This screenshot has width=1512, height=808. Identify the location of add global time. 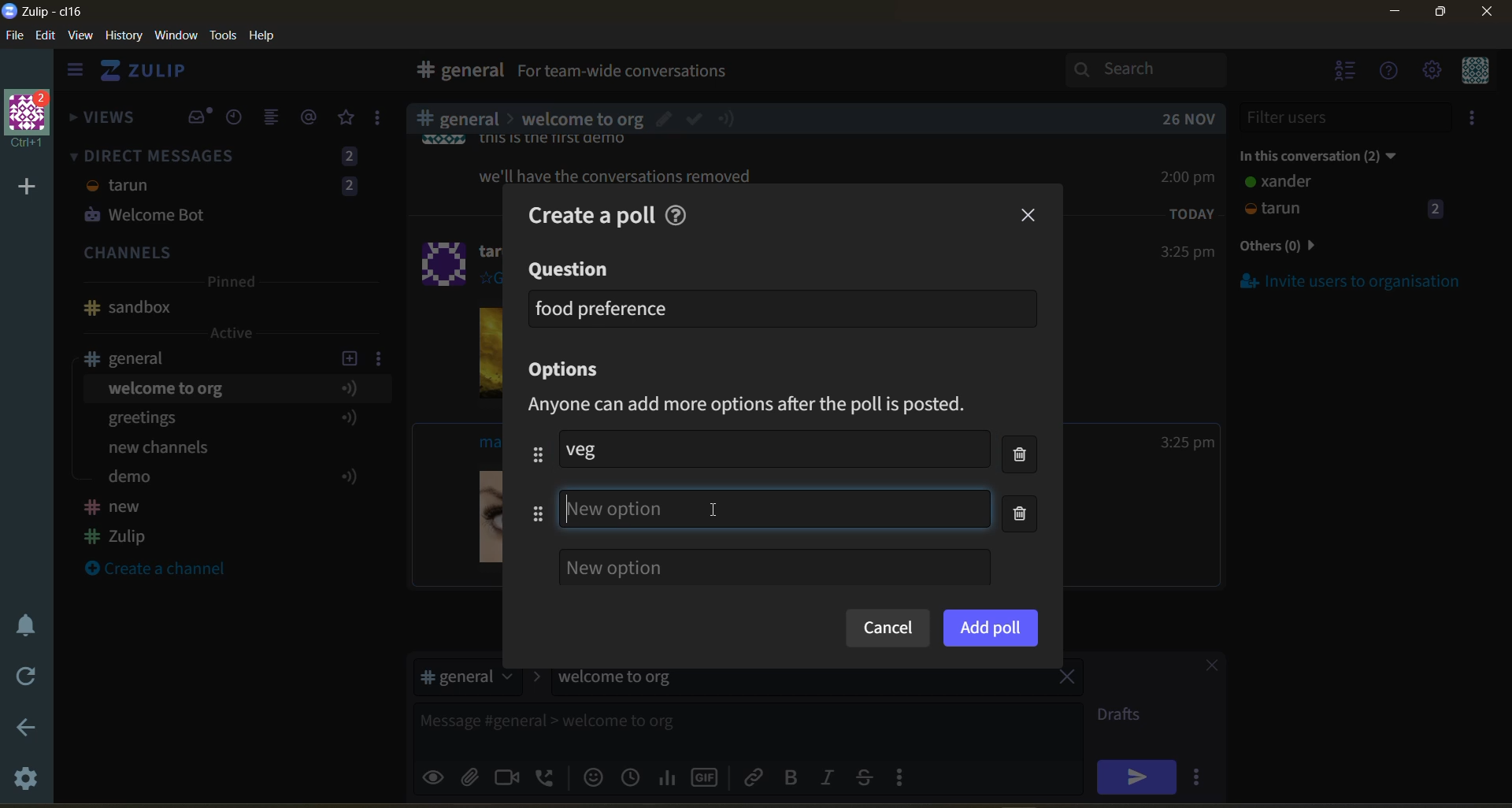
(634, 776).